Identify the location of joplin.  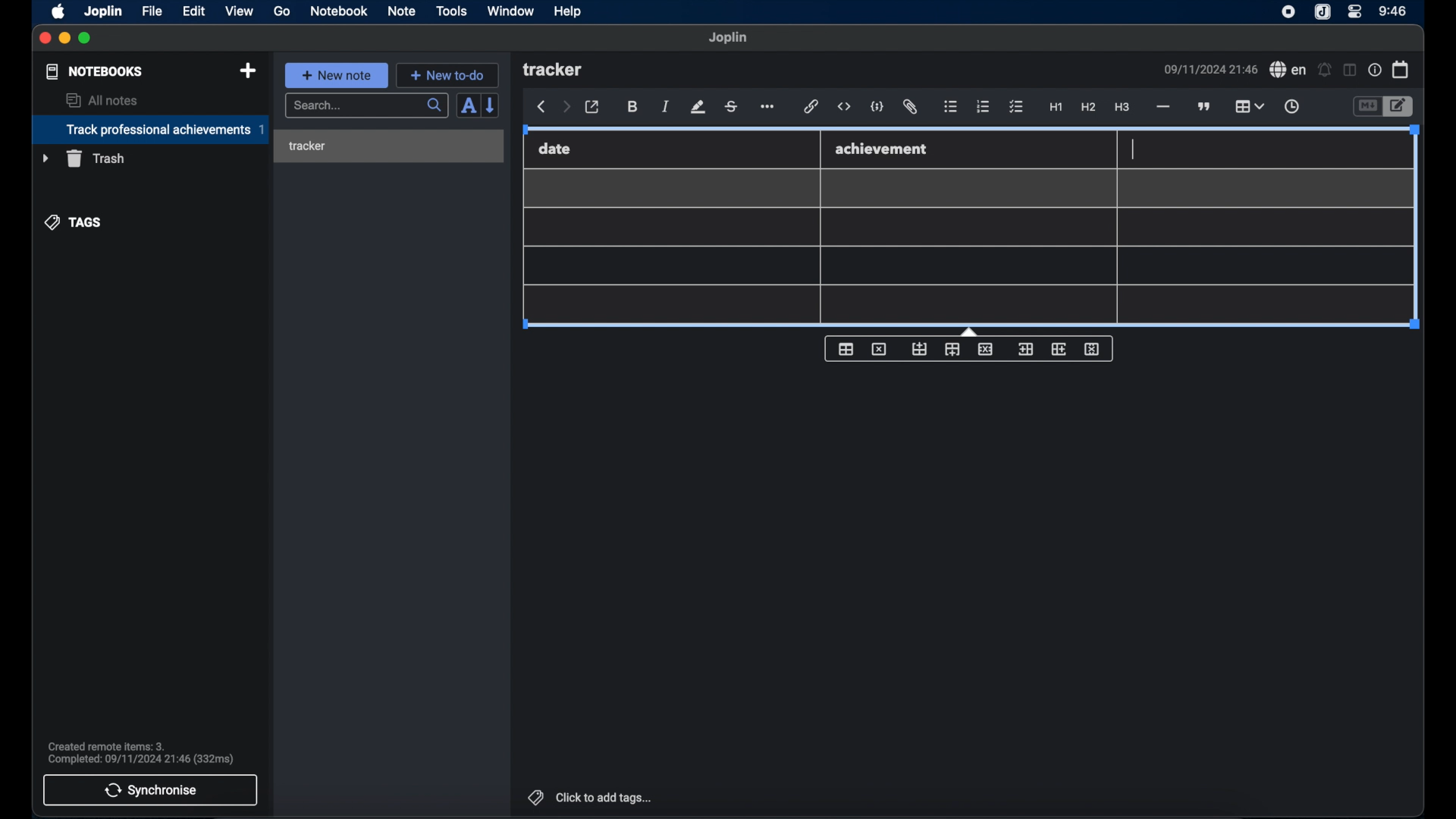
(104, 11).